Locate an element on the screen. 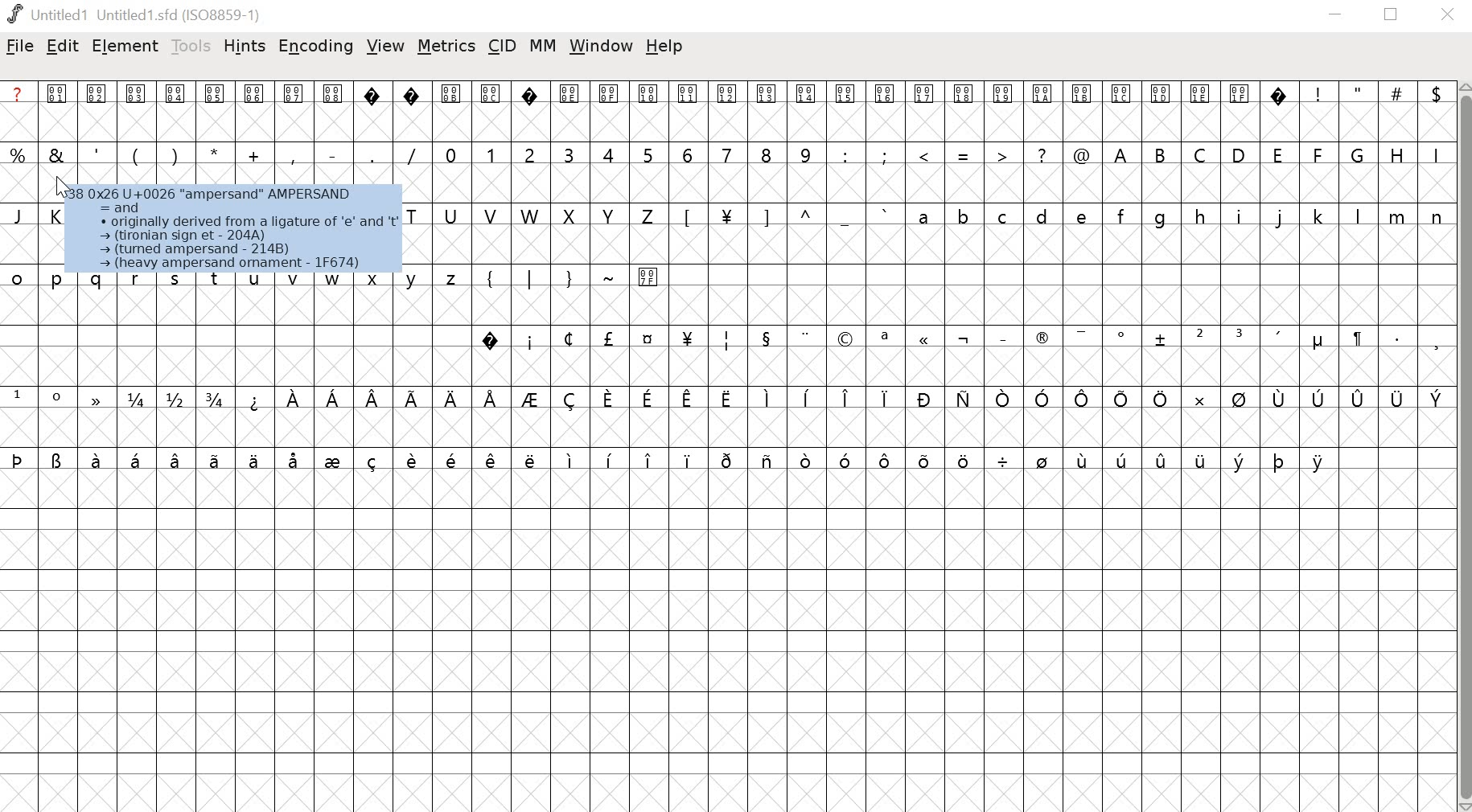 The width and height of the screenshot is (1472, 812). 0007 is located at coordinates (294, 111).